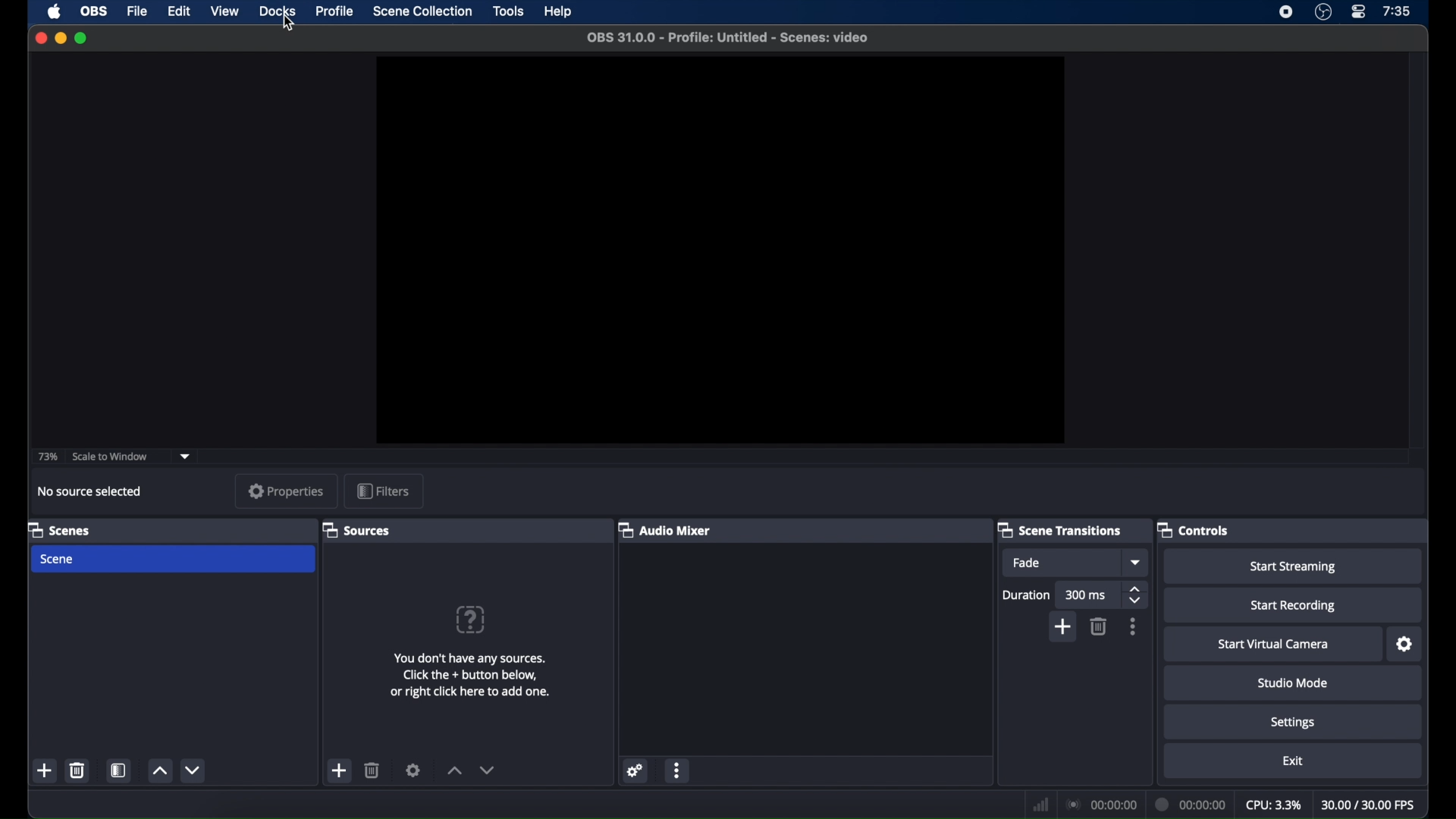 This screenshot has height=819, width=1456. Describe the element at coordinates (45, 770) in the screenshot. I see `add` at that location.